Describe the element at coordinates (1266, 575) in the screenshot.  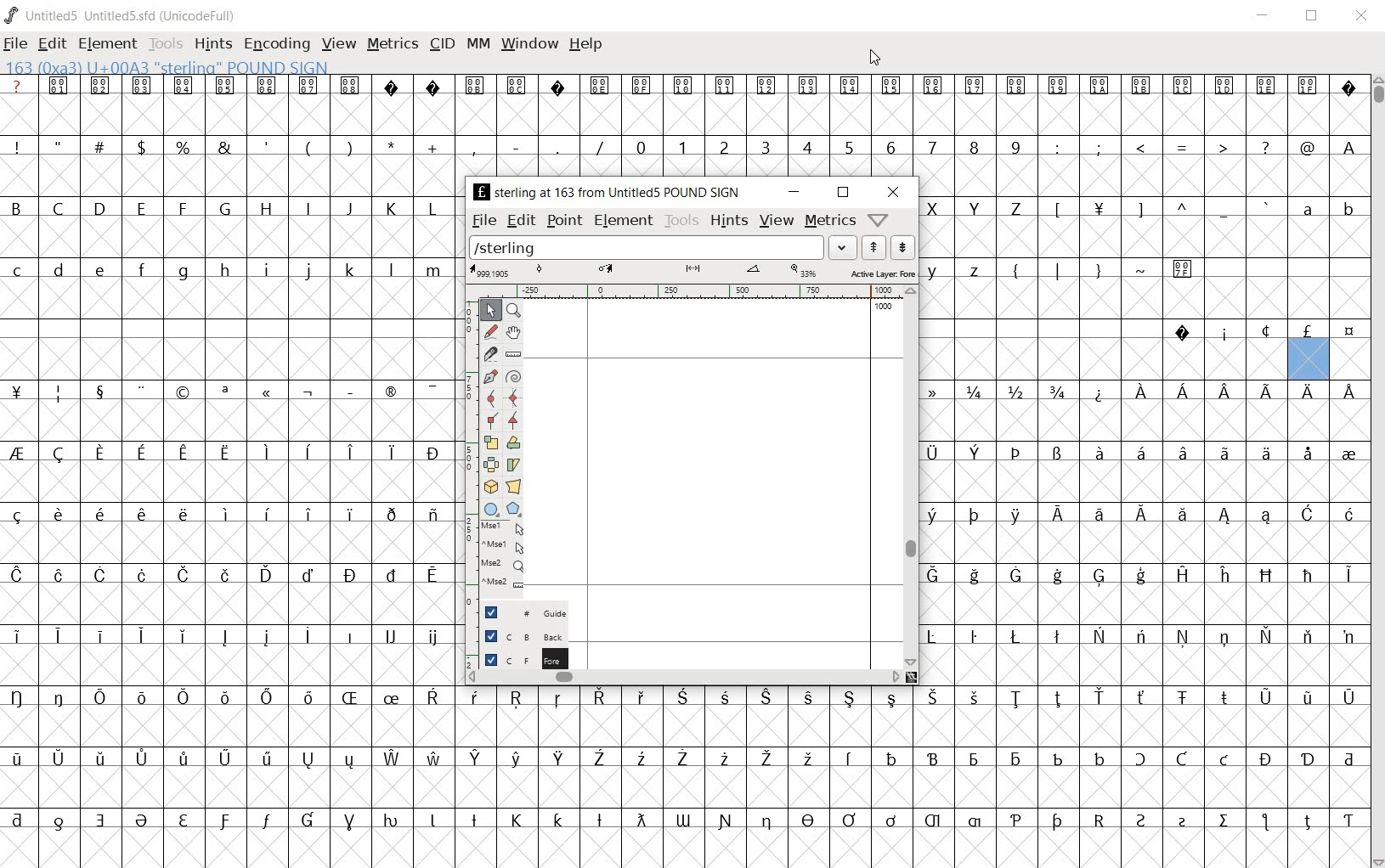
I see `Symbol` at that location.